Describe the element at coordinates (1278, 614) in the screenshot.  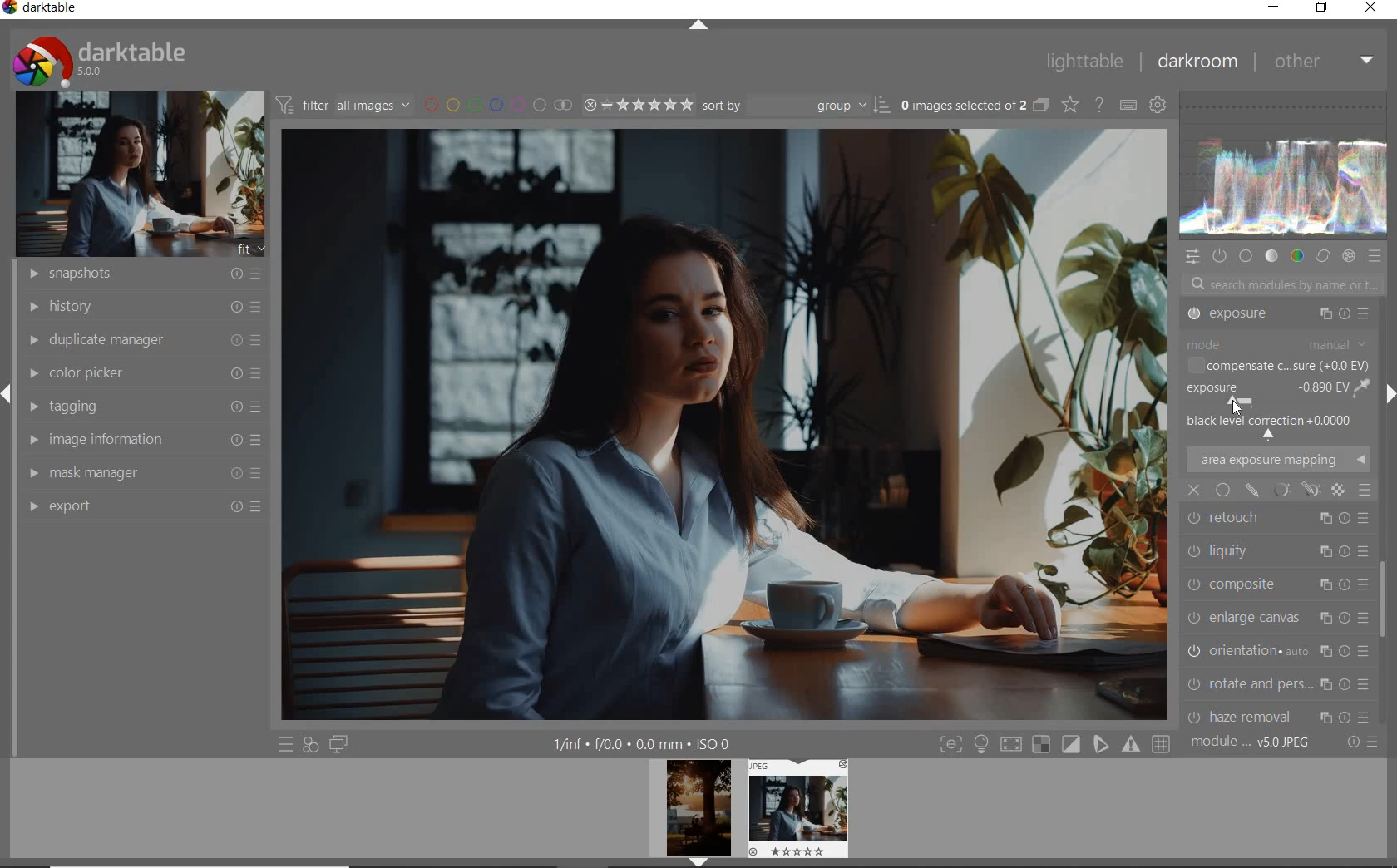
I see `HAZE REMOVAL` at that location.